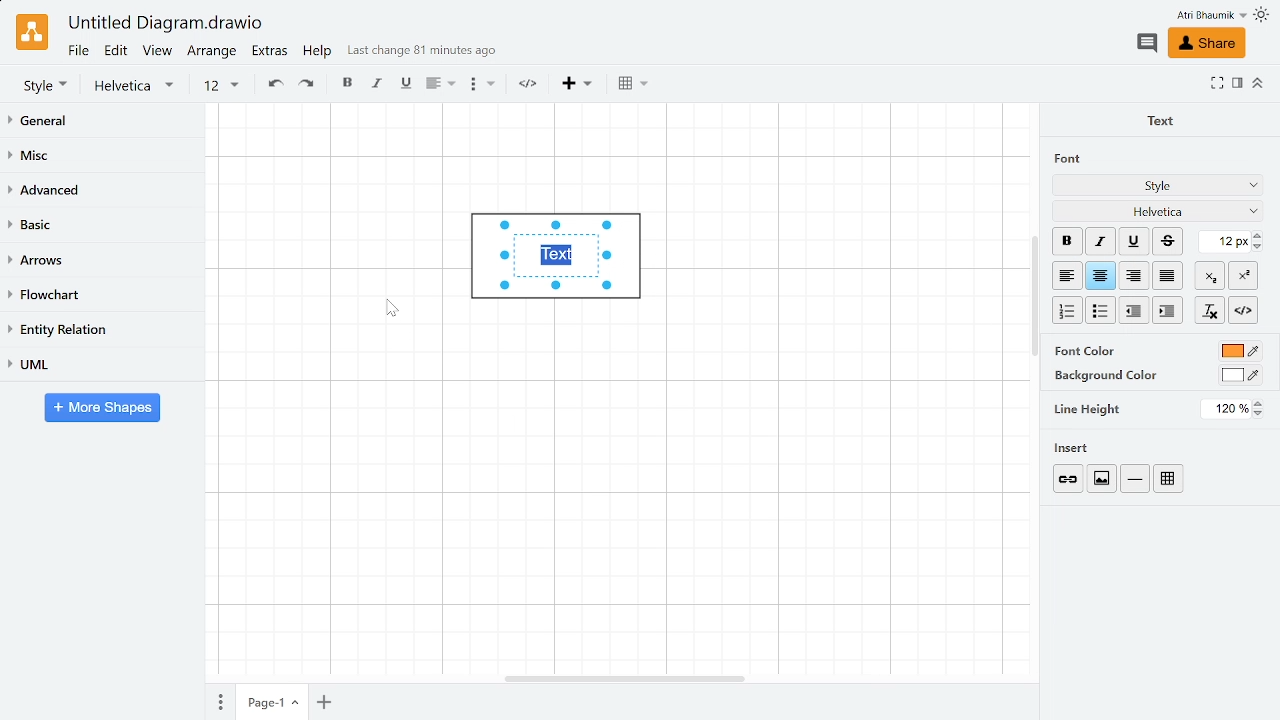 This screenshot has height=720, width=1280. Describe the element at coordinates (1067, 158) in the screenshot. I see `font` at that location.